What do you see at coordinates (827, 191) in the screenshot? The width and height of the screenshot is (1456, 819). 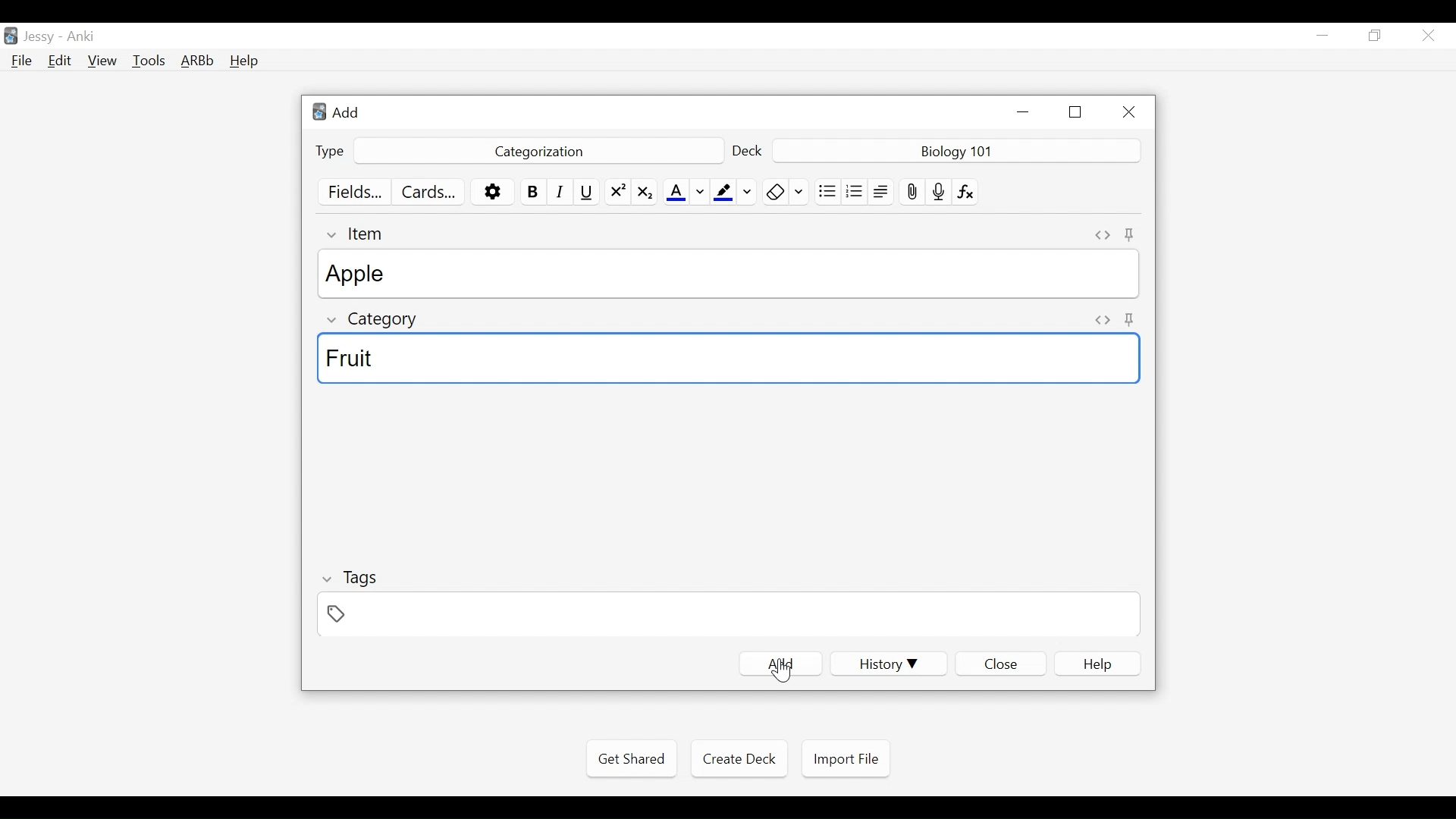 I see `Unordered list` at bounding box center [827, 191].